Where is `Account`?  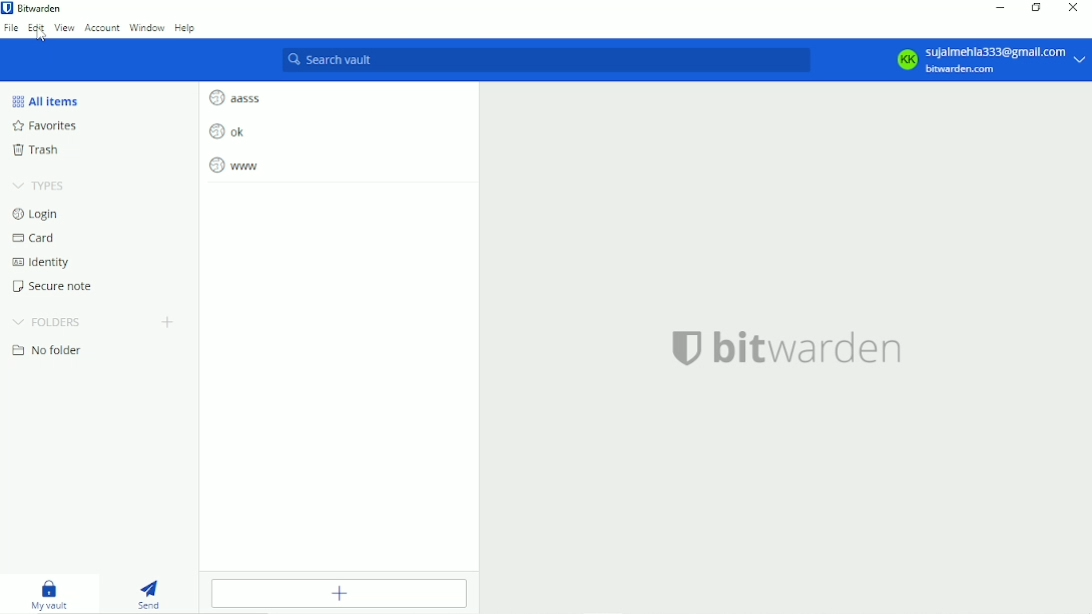
Account is located at coordinates (103, 29).